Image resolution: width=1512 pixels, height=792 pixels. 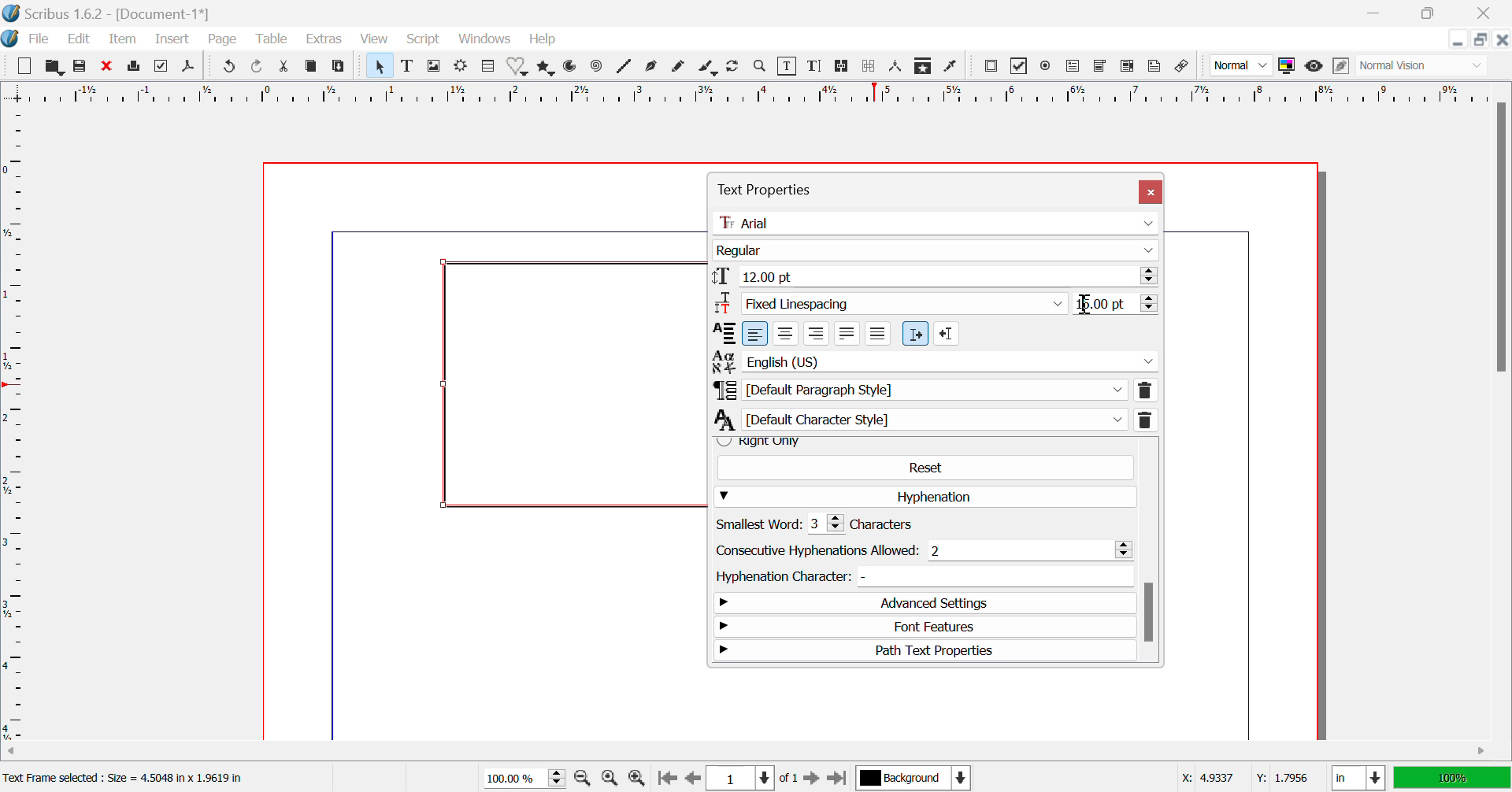 I want to click on Table, so click(x=272, y=41).